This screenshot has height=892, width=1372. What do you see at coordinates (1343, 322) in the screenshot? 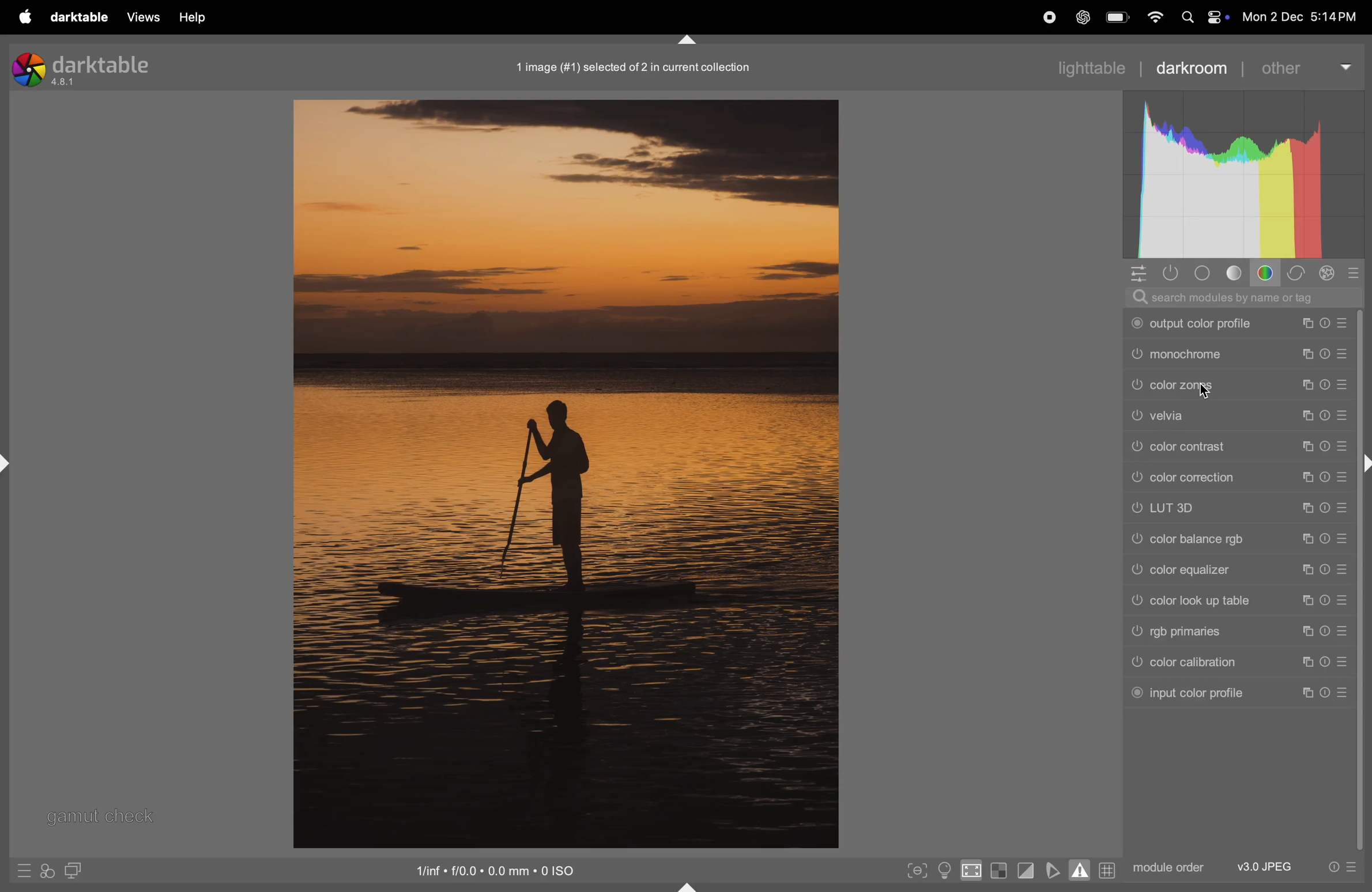
I see `Preset` at bounding box center [1343, 322].